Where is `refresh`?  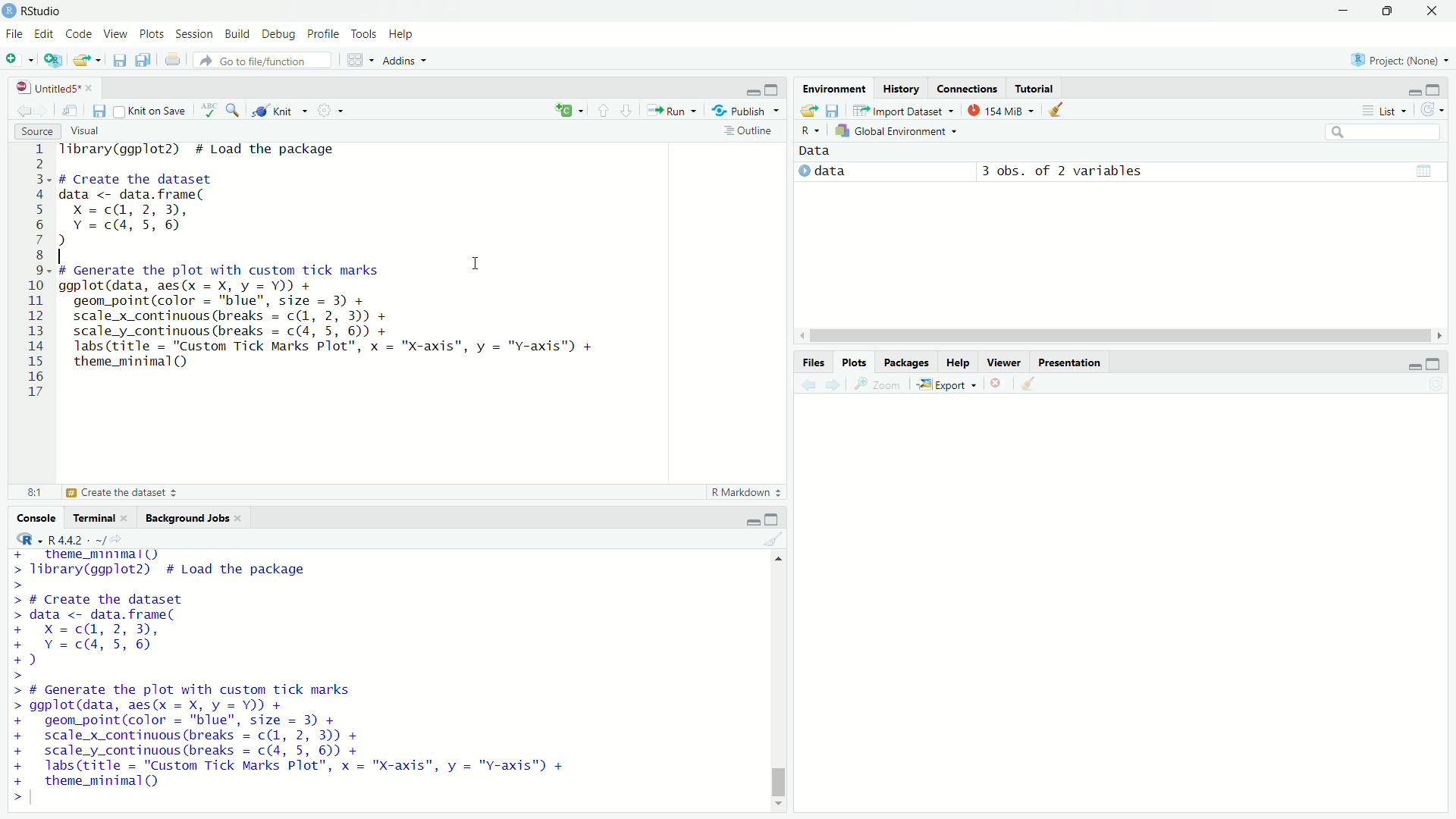 refresh is located at coordinates (1437, 111).